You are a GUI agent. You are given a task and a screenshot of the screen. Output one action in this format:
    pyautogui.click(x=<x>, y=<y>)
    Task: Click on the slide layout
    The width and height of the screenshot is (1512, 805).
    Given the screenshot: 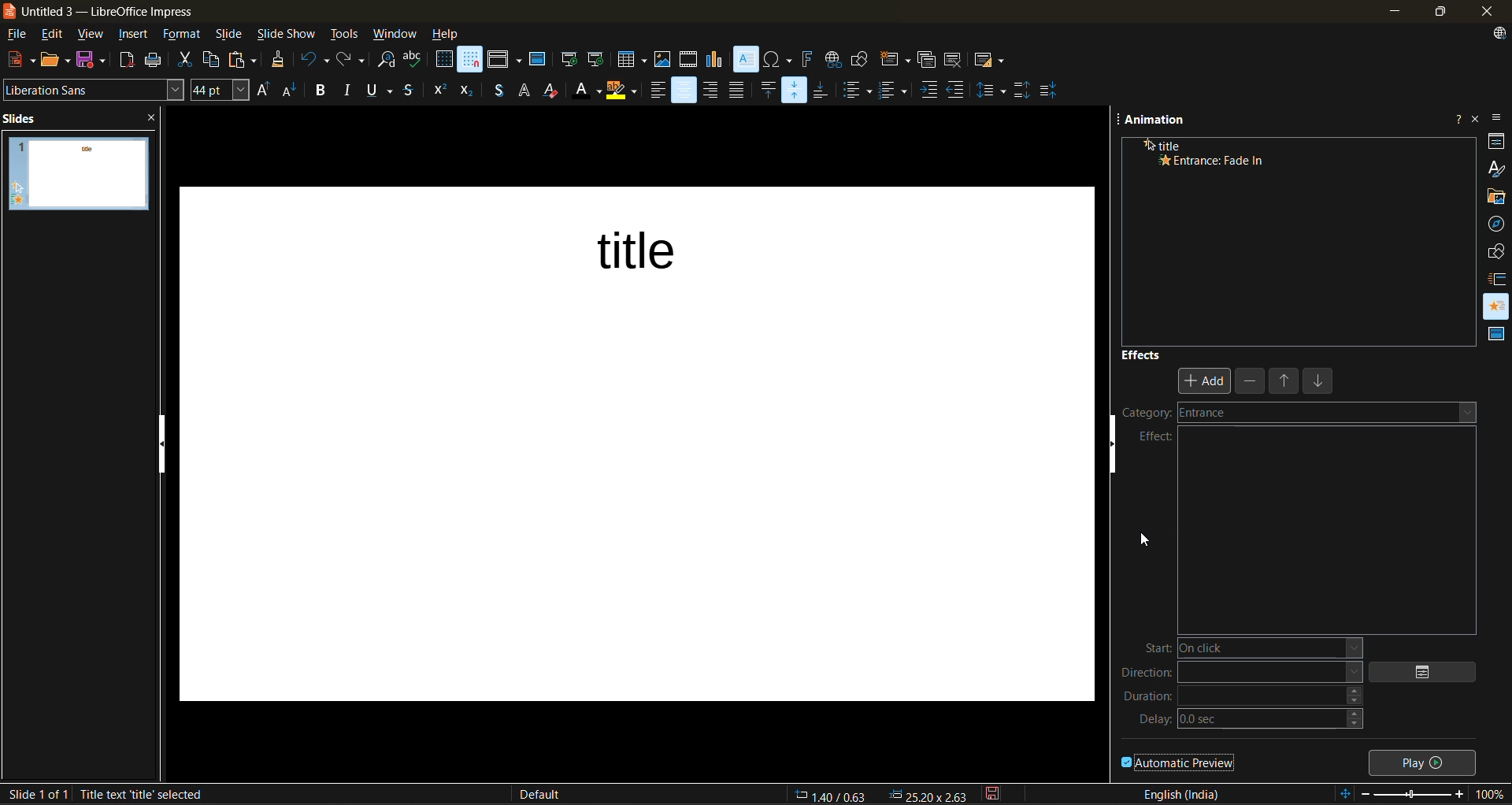 What is the action you would take?
    pyautogui.click(x=990, y=63)
    